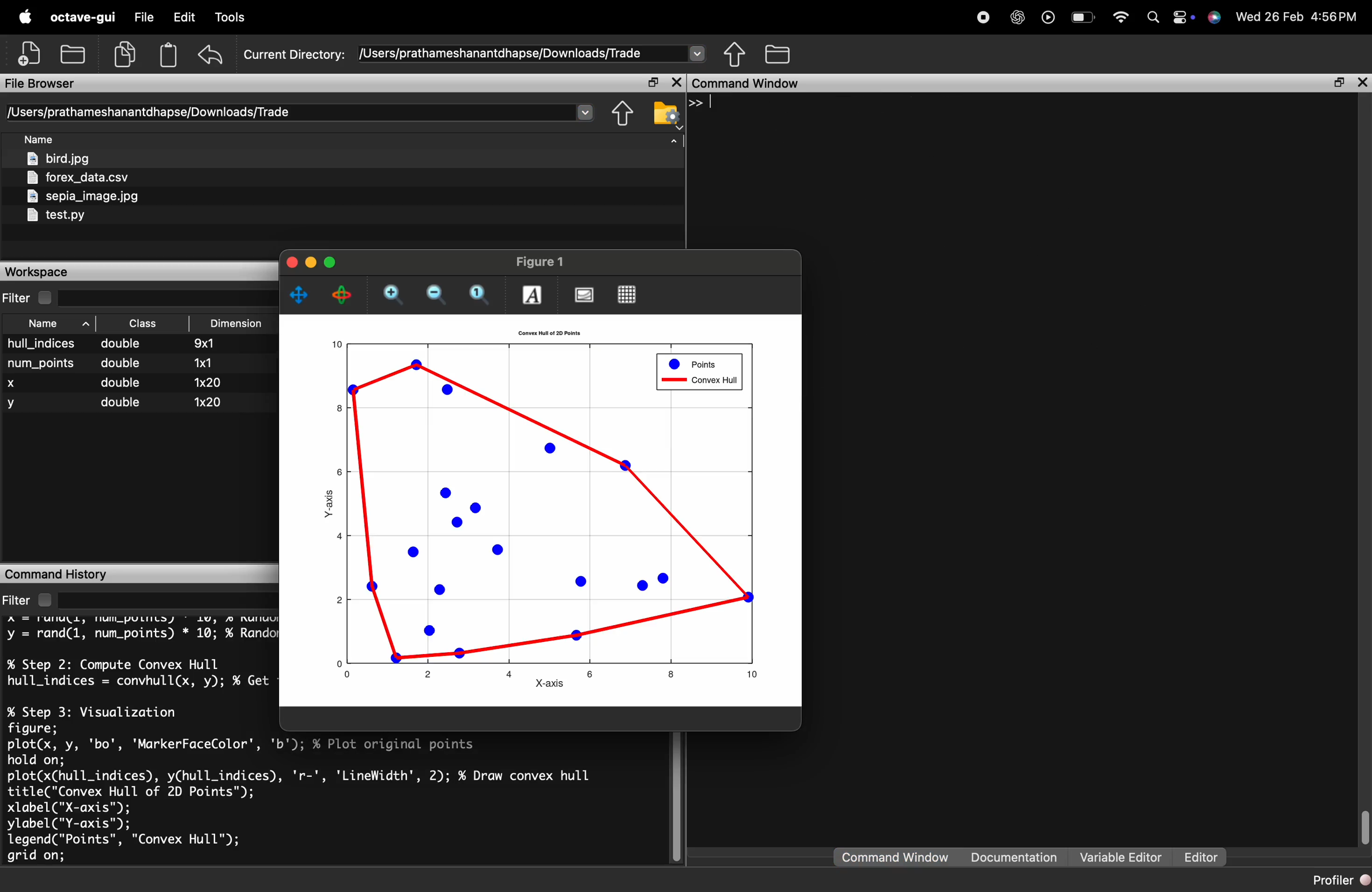  Describe the element at coordinates (59, 573) in the screenshot. I see `Command History` at that location.